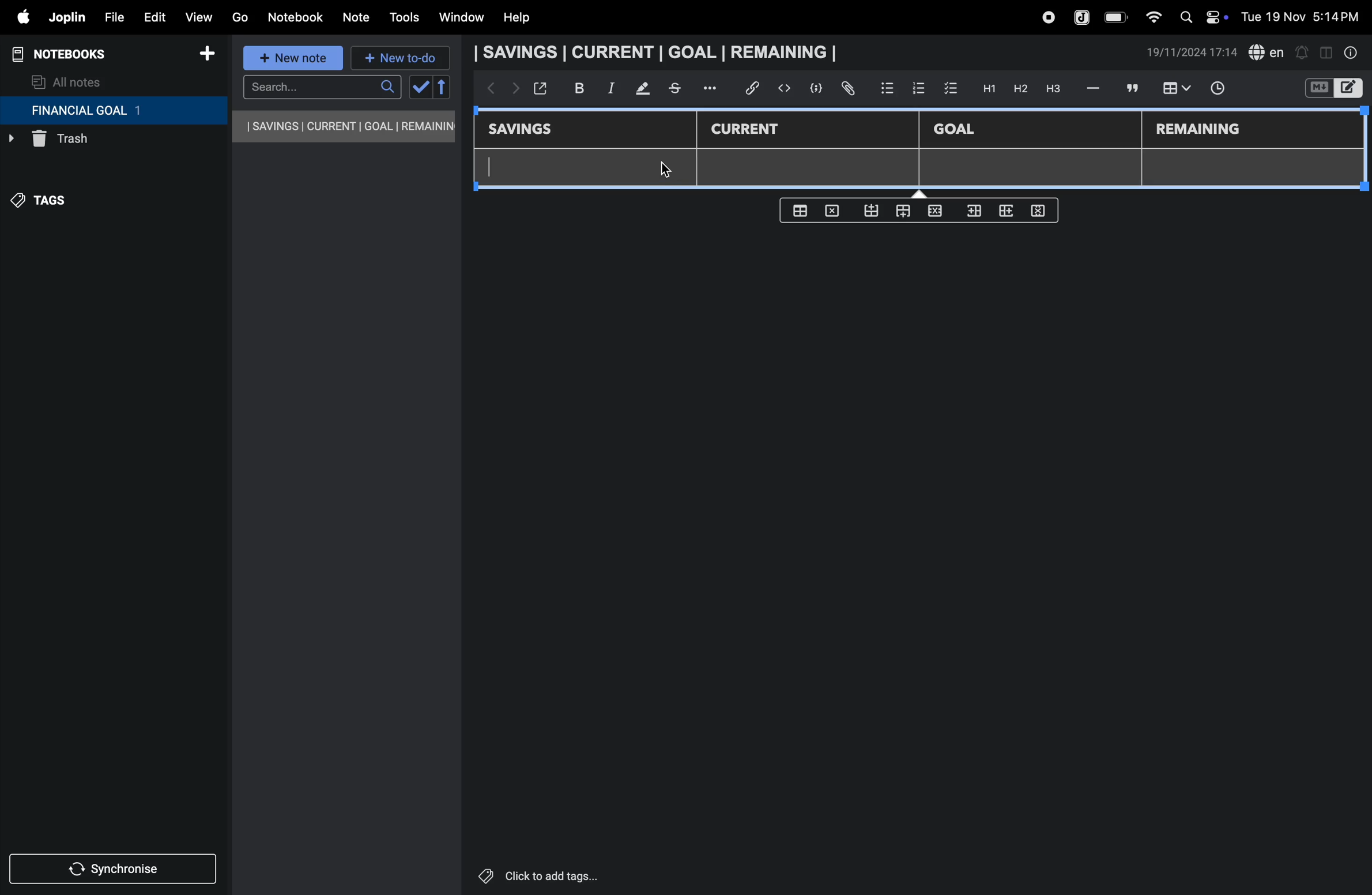  I want to click on heading 3, so click(1053, 89).